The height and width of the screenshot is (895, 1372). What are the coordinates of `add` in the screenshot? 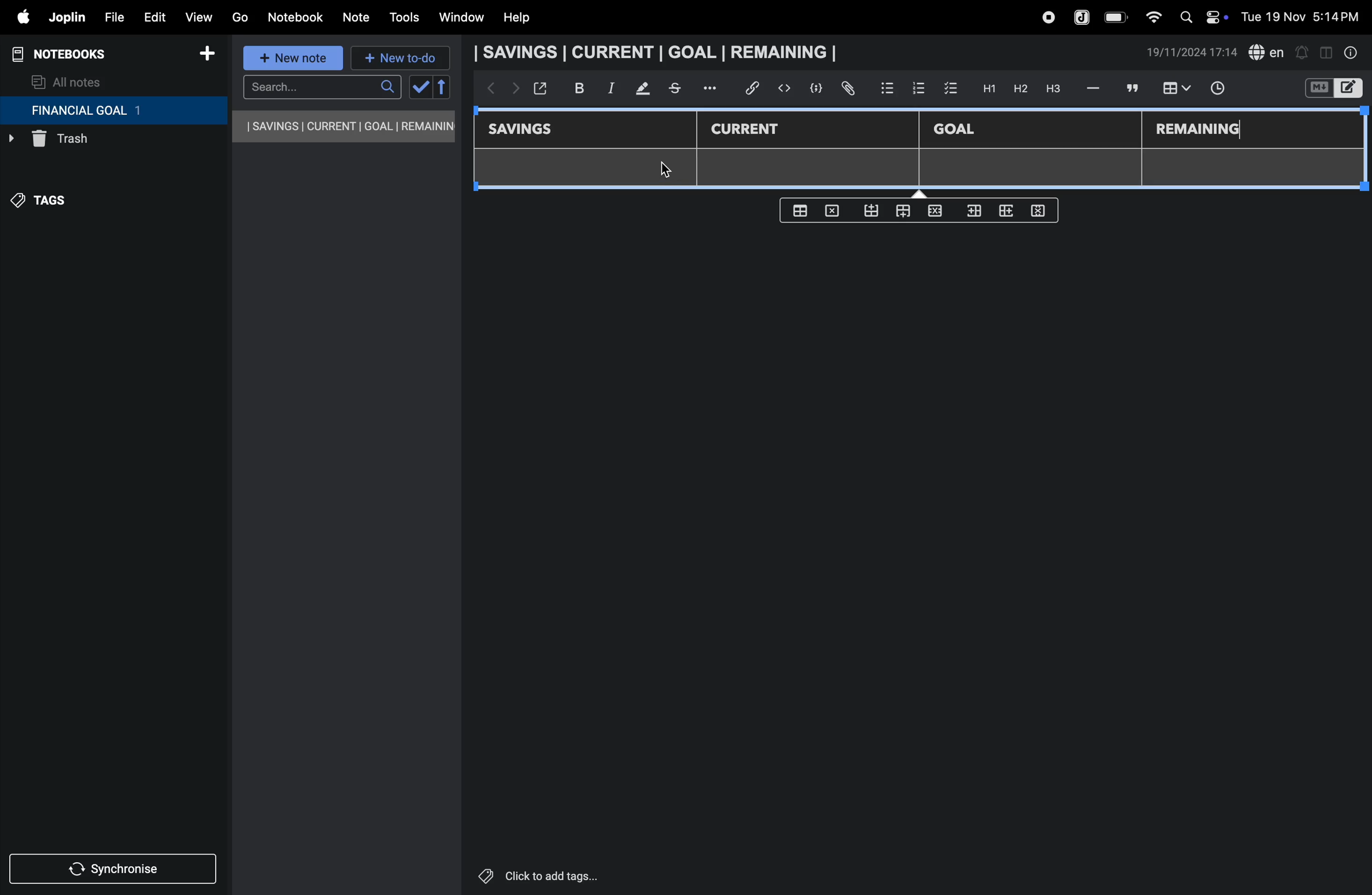 It's located at (207, 55).